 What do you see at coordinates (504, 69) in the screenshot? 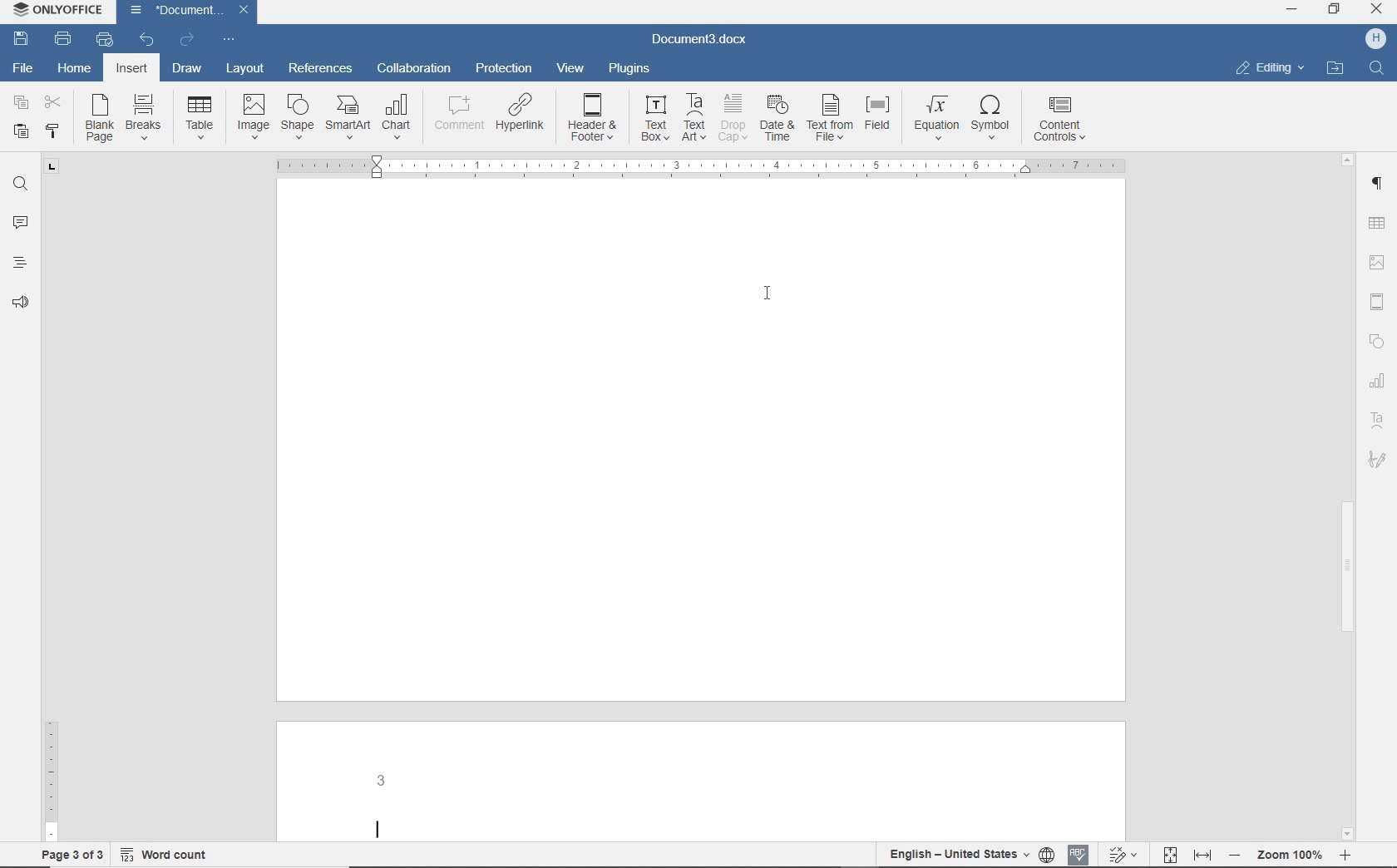
I see `PROTECTION` at bounding box center [504, 69].